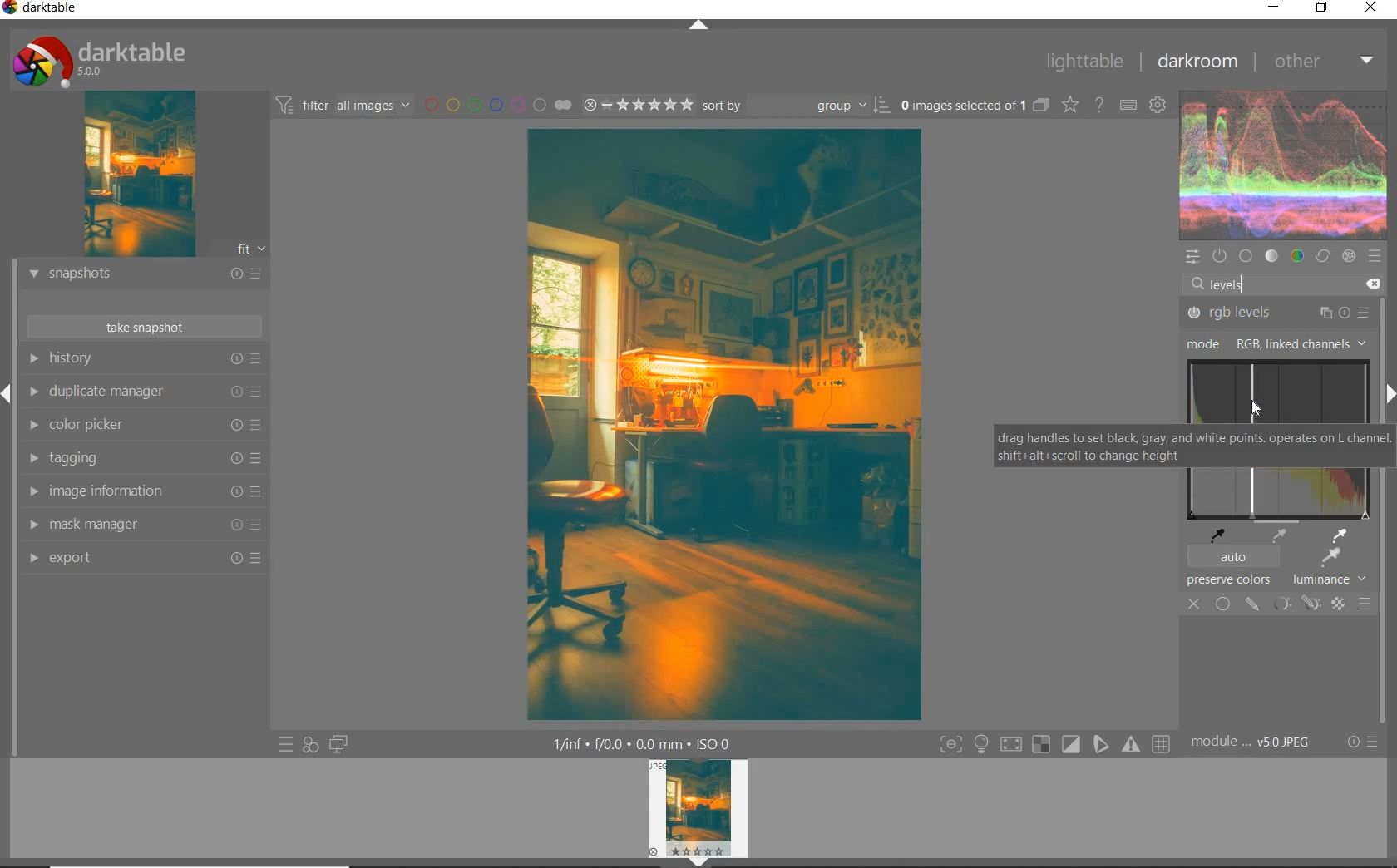 The height and width of the screenshot is (868, 1397). I want to click on minimize, so click(1274, 7).